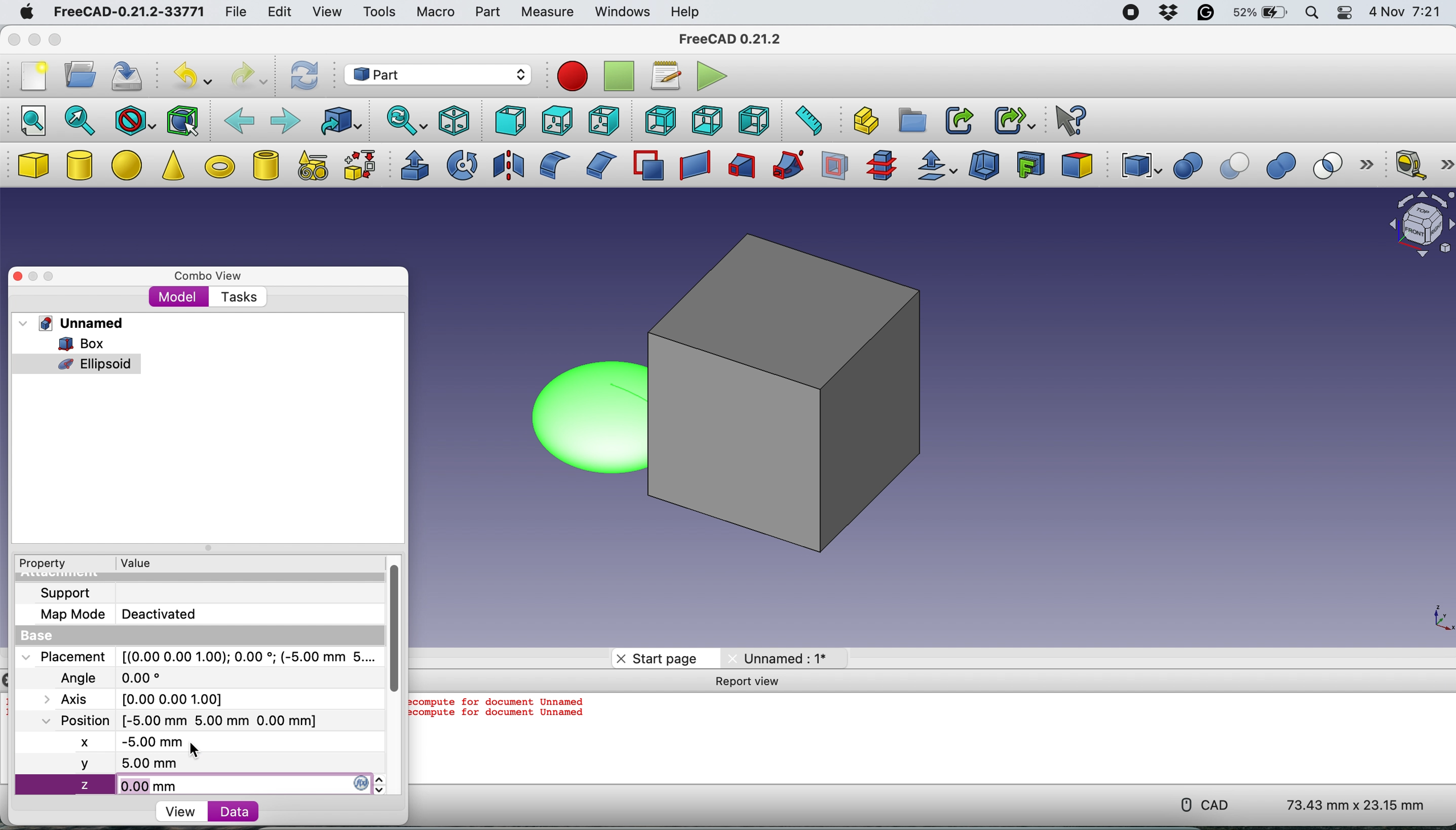  What do you see at coordinates (236, 297) in the screenshot?
I see `tasks` at bounding box center [236, 297].